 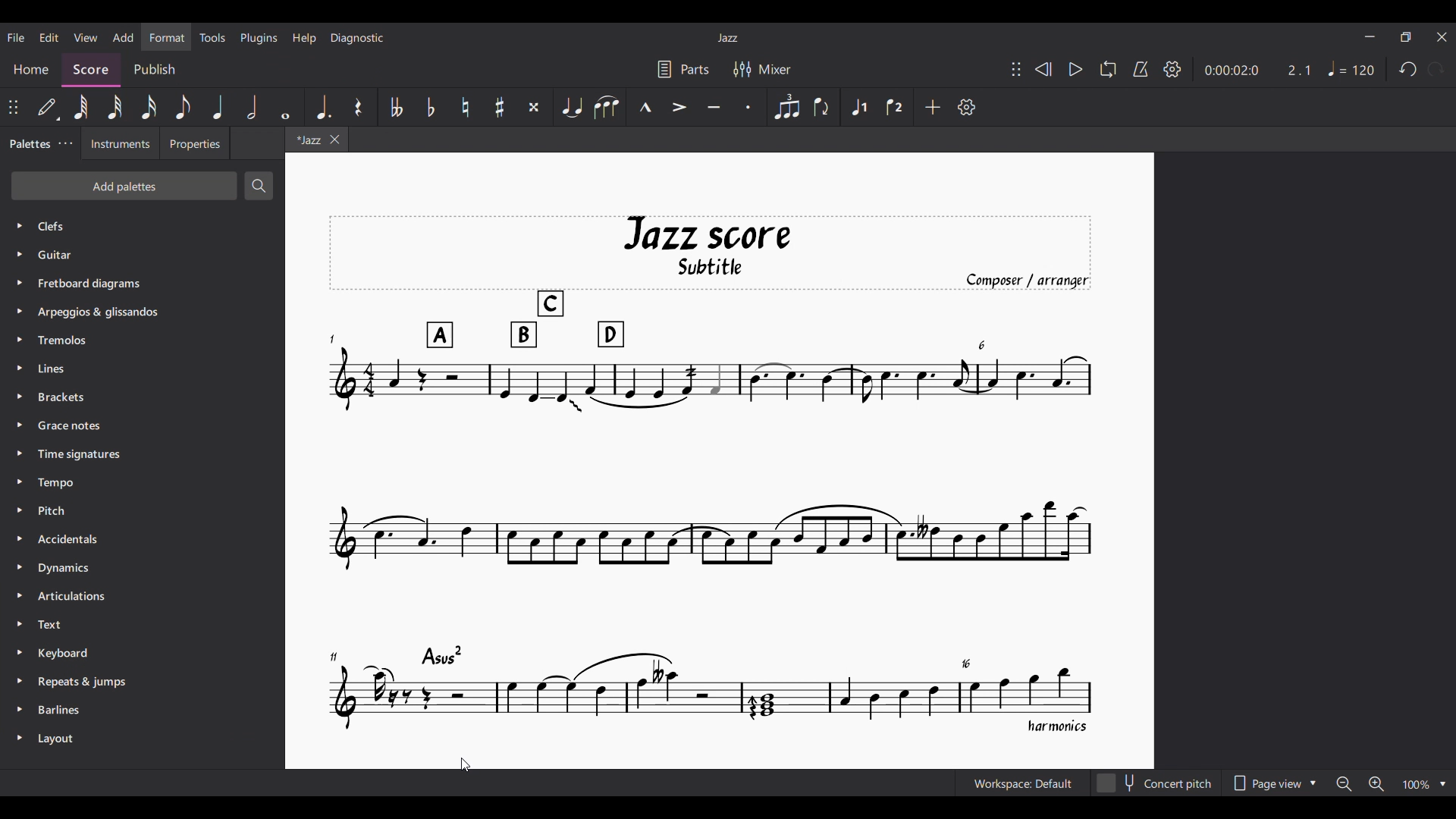 I want to click on Help menu, so click(x=304, y=38).